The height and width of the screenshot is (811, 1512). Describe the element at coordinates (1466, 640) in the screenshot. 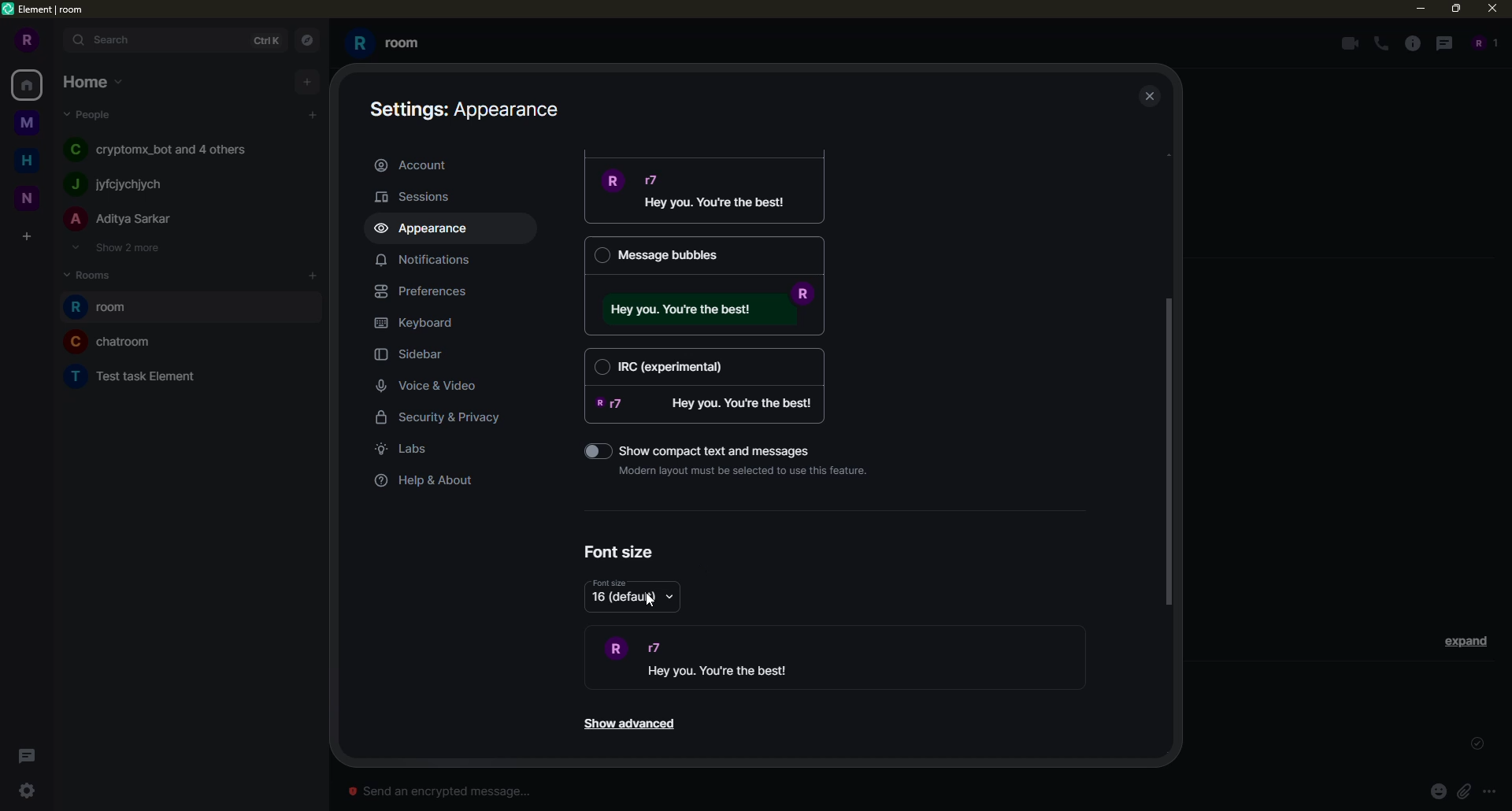

I see `expand` at that location.